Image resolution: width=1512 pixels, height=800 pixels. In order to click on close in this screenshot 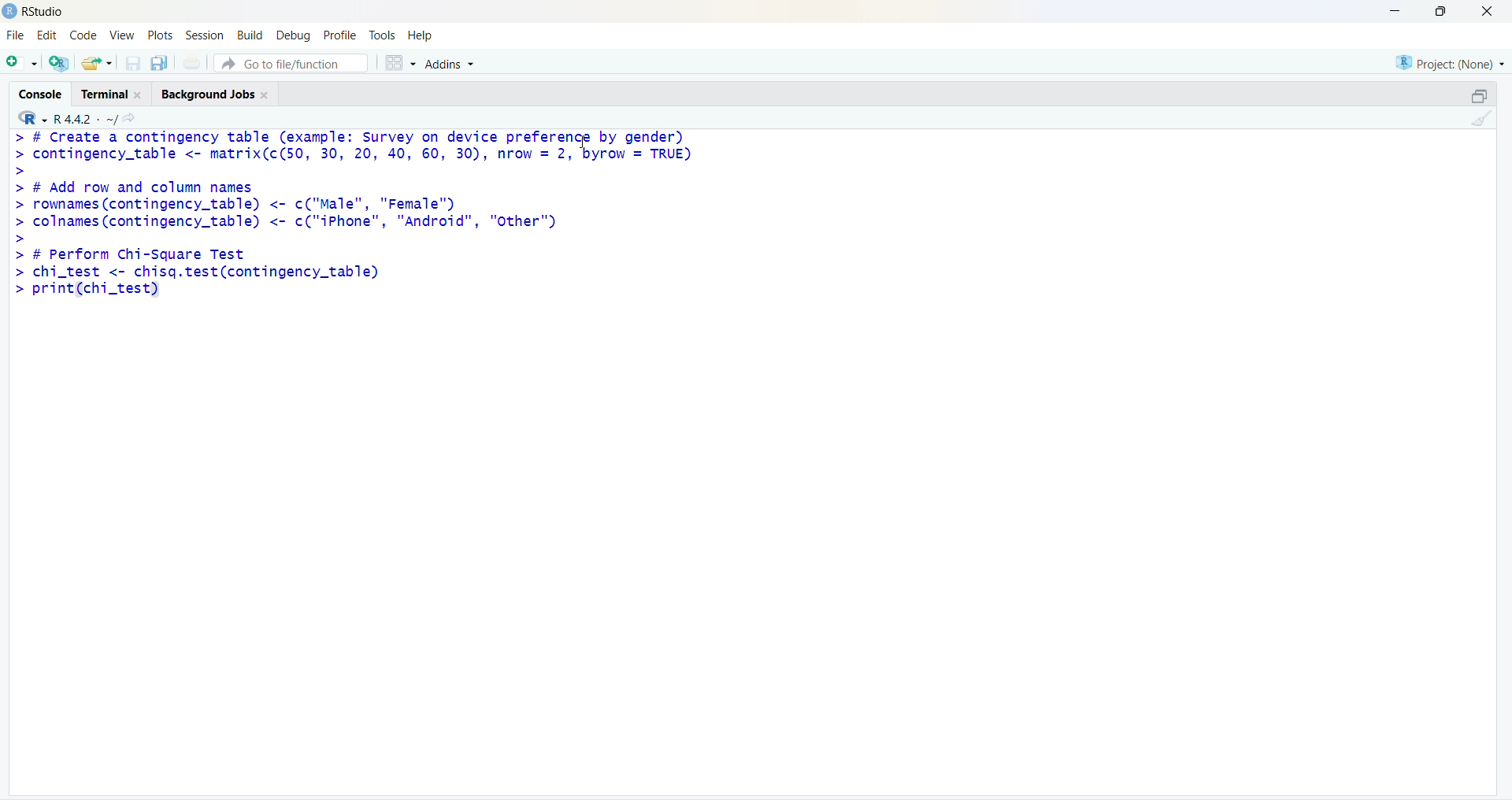, I will do `click(1488, 11)`.